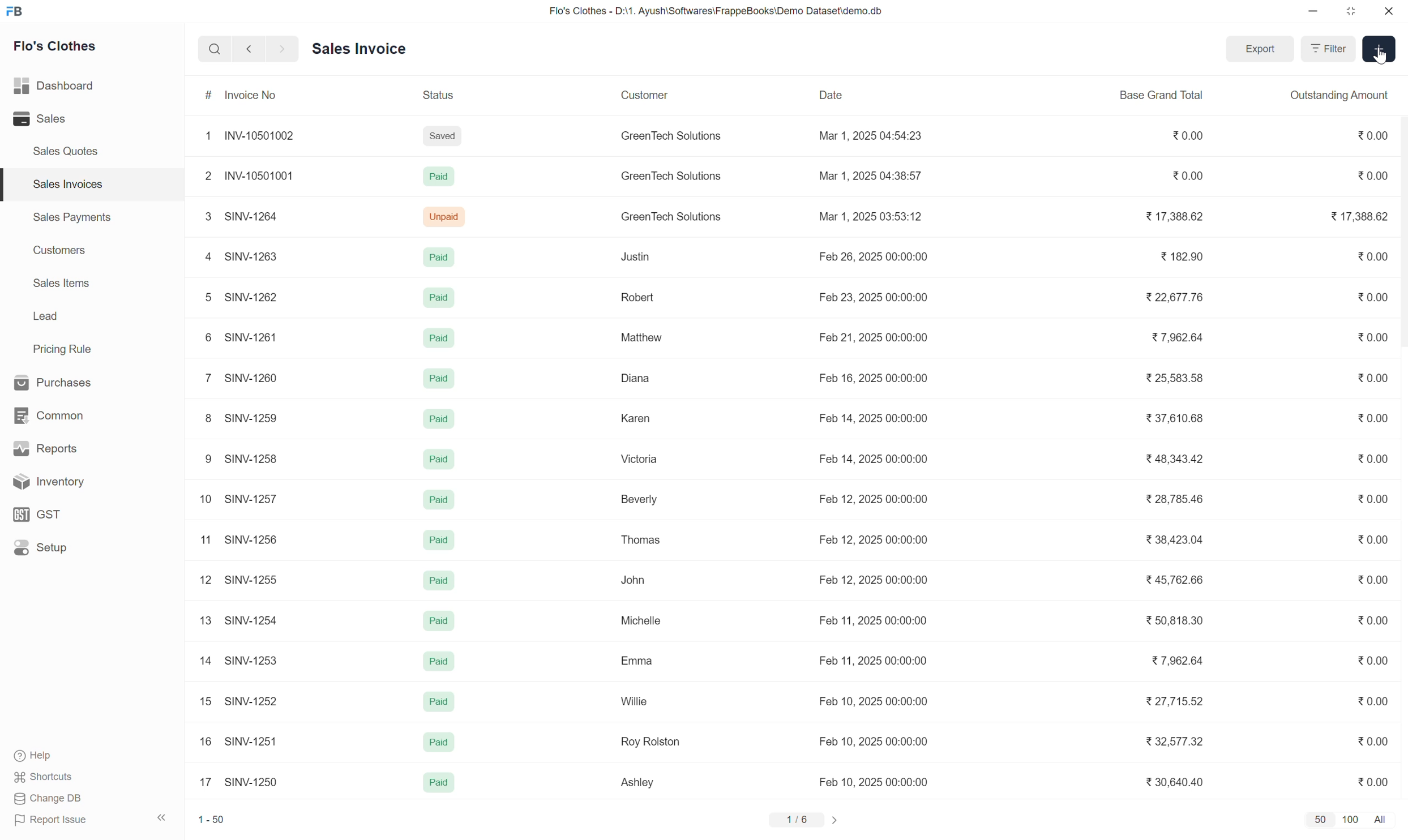 The image size is (1408, 840). What do you see at coordinates (212, 52) in the screenshot?
I see `search ` at bounding box center [212, 52].